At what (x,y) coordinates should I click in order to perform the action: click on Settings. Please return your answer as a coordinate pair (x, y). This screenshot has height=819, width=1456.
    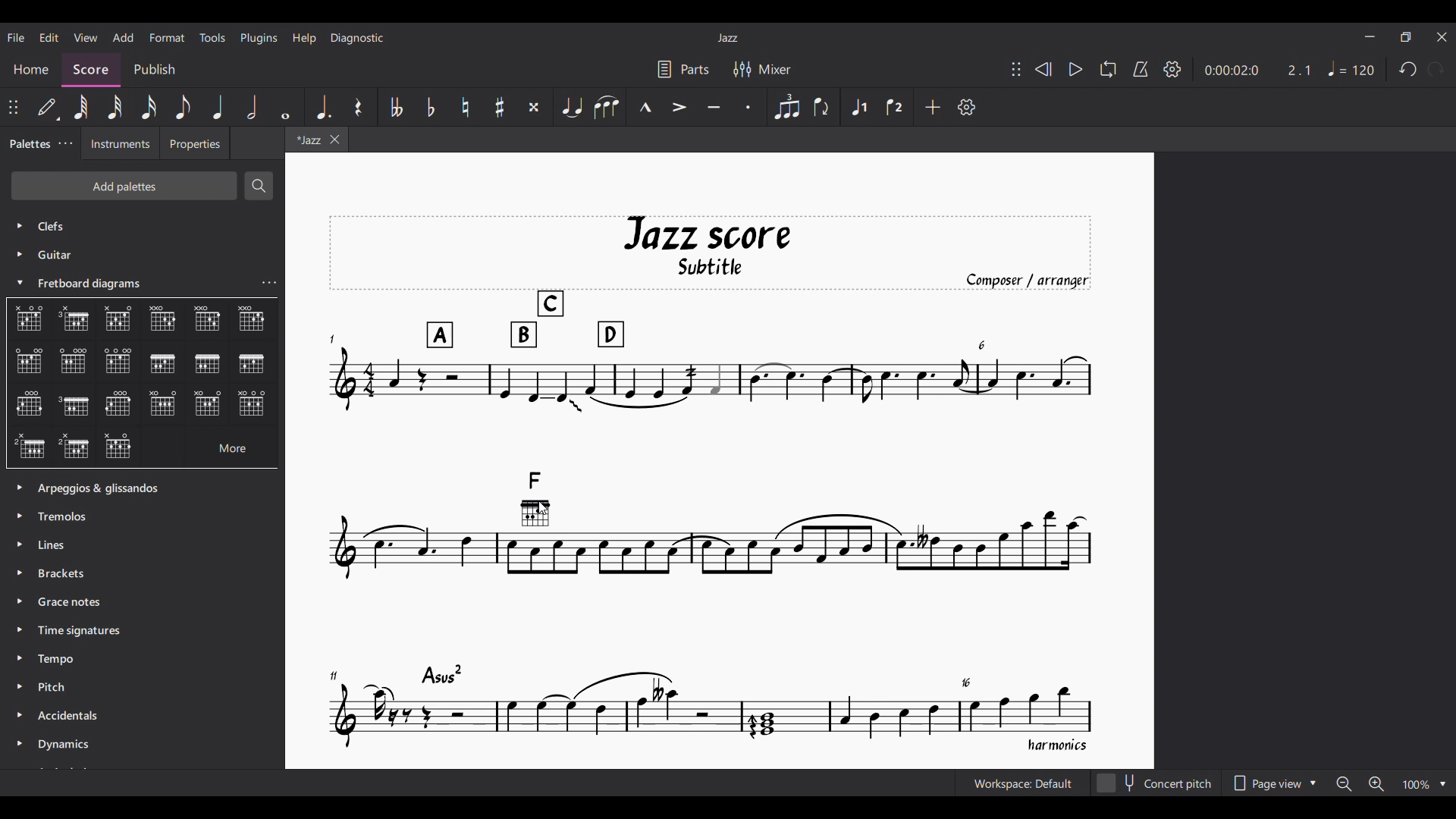
    Looking at the image, I should click on (1172, 70).